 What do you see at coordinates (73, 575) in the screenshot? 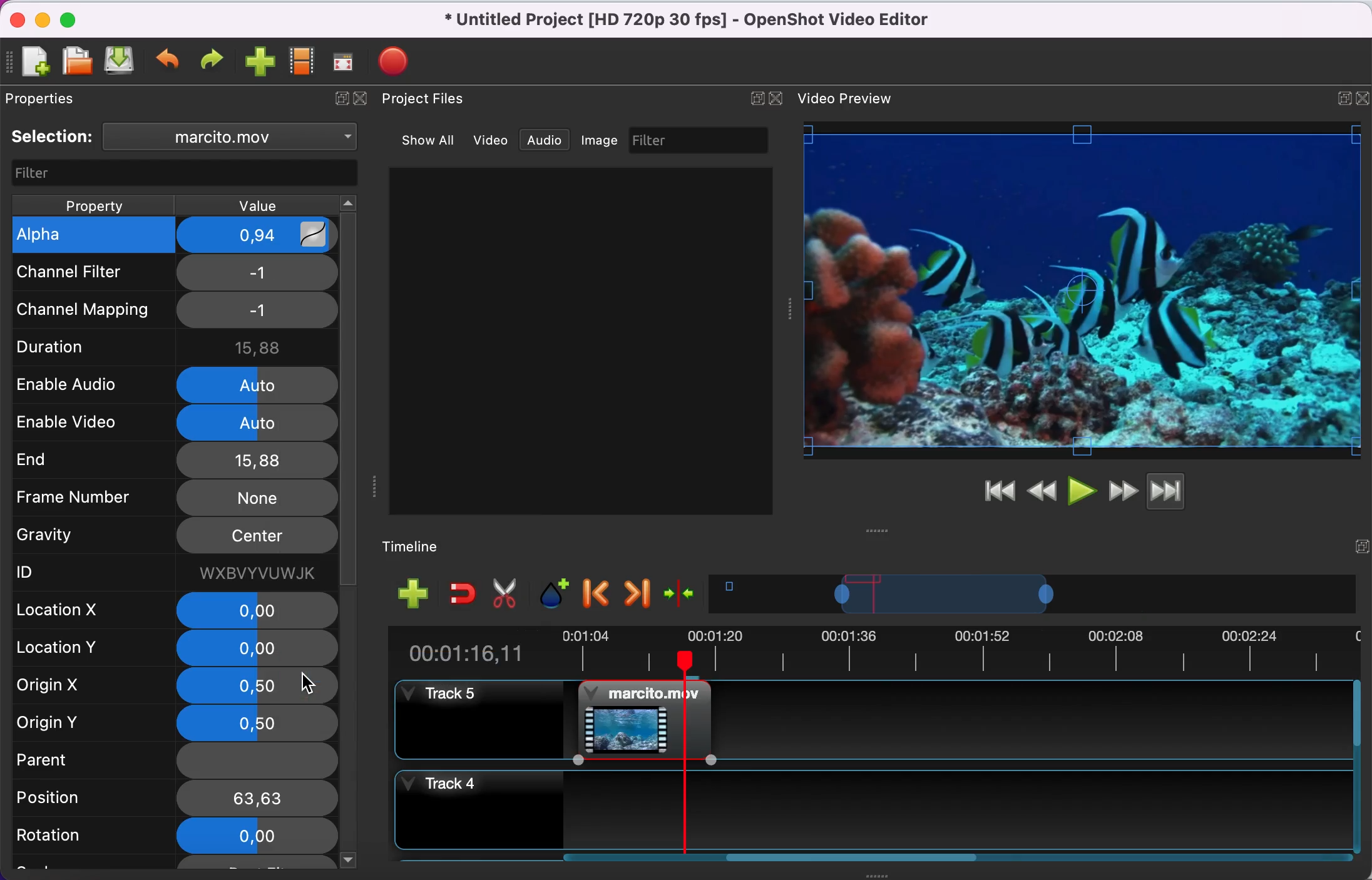
I see `ID` at bounding box center [73, 575].